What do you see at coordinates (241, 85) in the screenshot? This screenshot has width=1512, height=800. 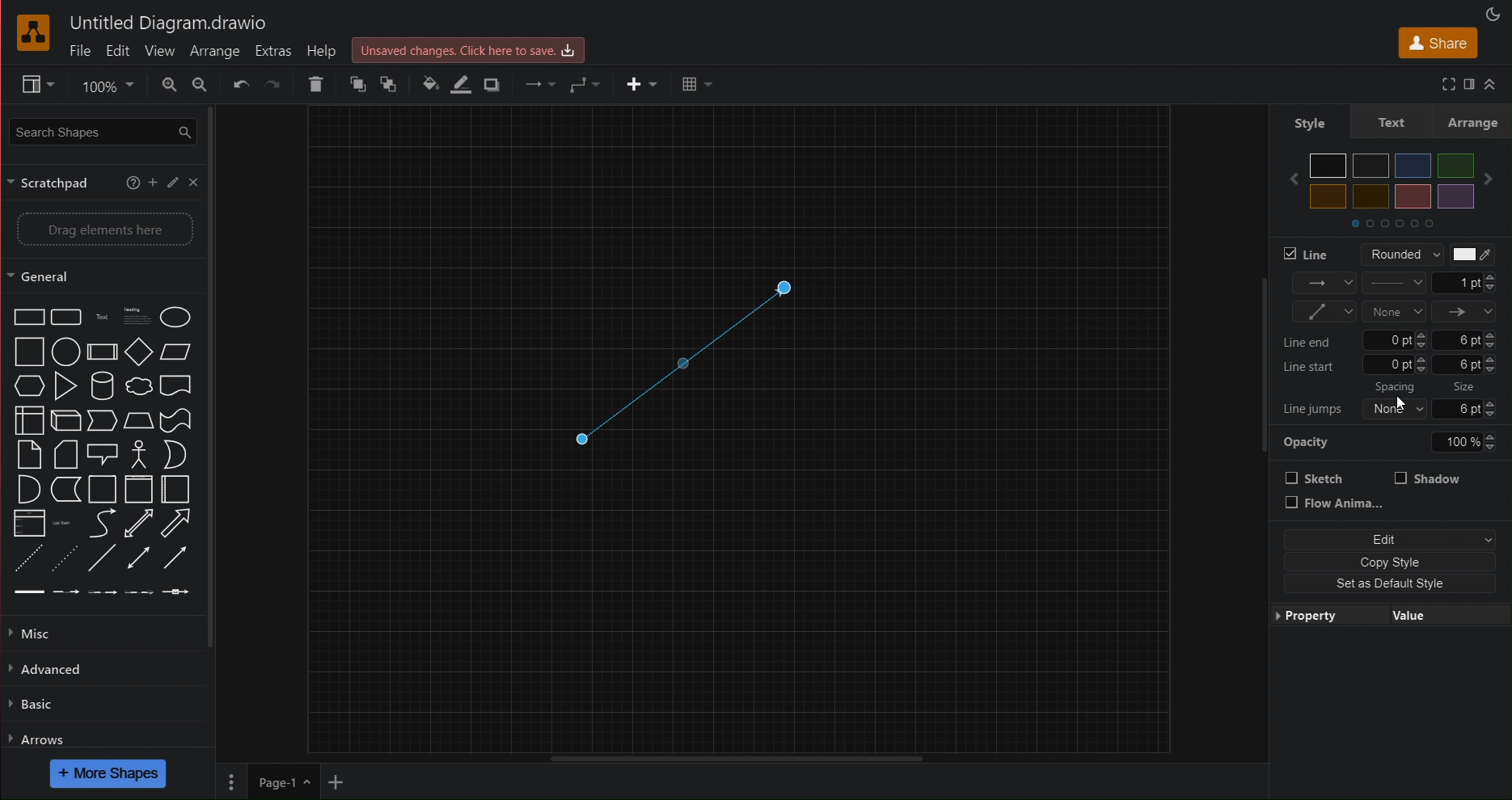 I see `Undo` at bounding box center [241, 85].